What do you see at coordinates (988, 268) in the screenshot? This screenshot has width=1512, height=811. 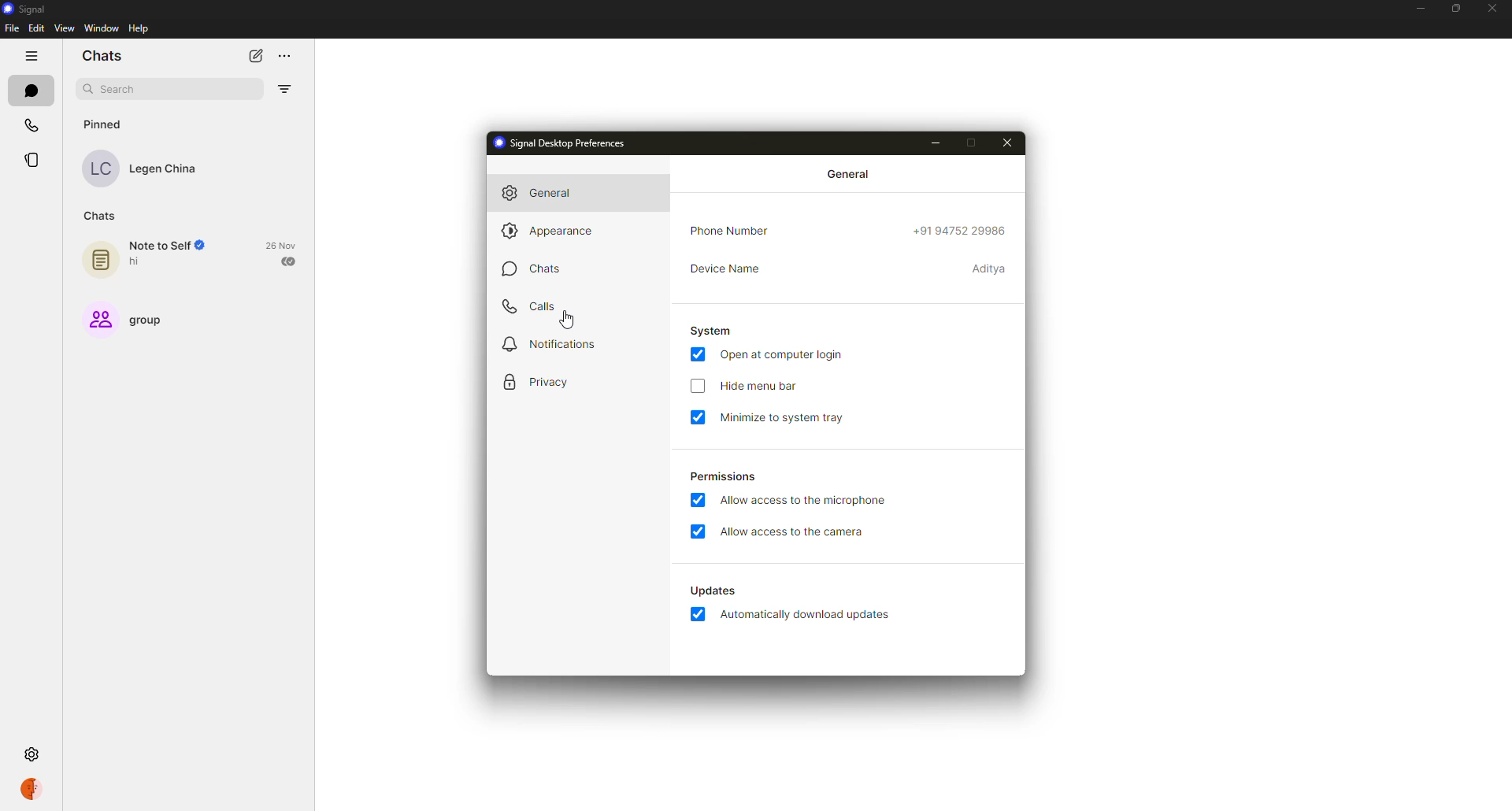 I see `Aditya` at bounding box center [988, 268].